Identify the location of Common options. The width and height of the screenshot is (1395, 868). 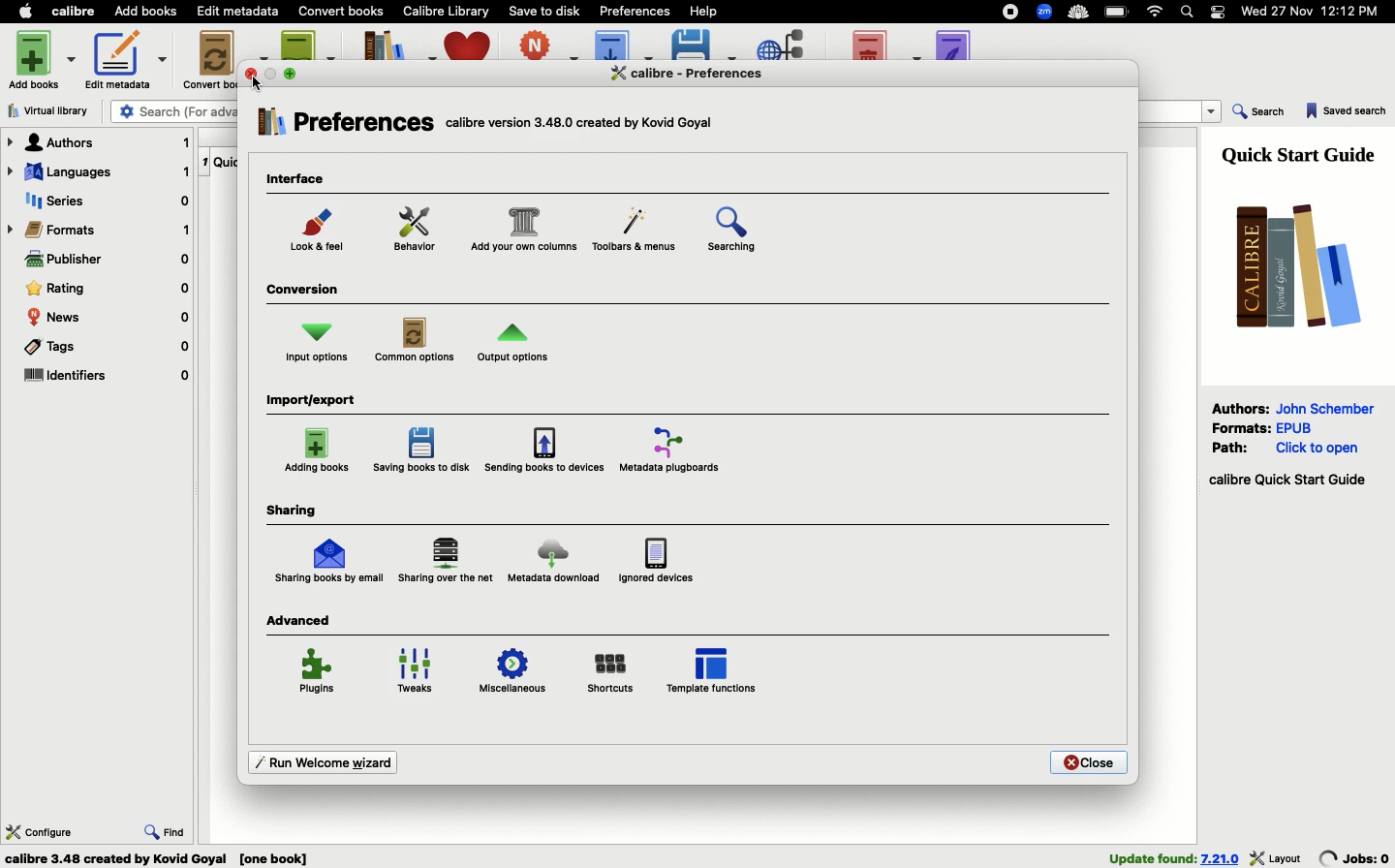
(417, 341).